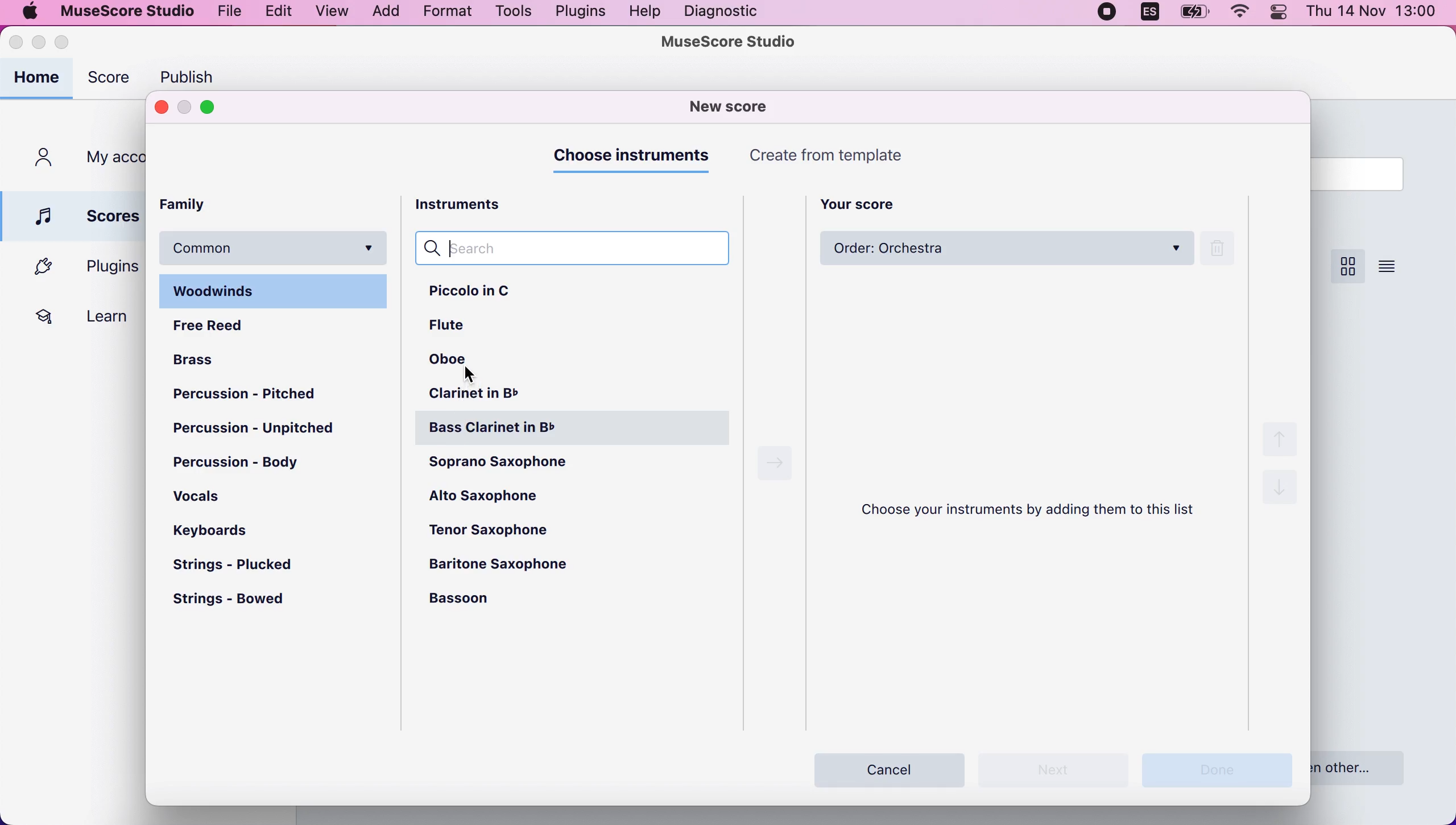  I want to click on open other, so click(1368, 766).